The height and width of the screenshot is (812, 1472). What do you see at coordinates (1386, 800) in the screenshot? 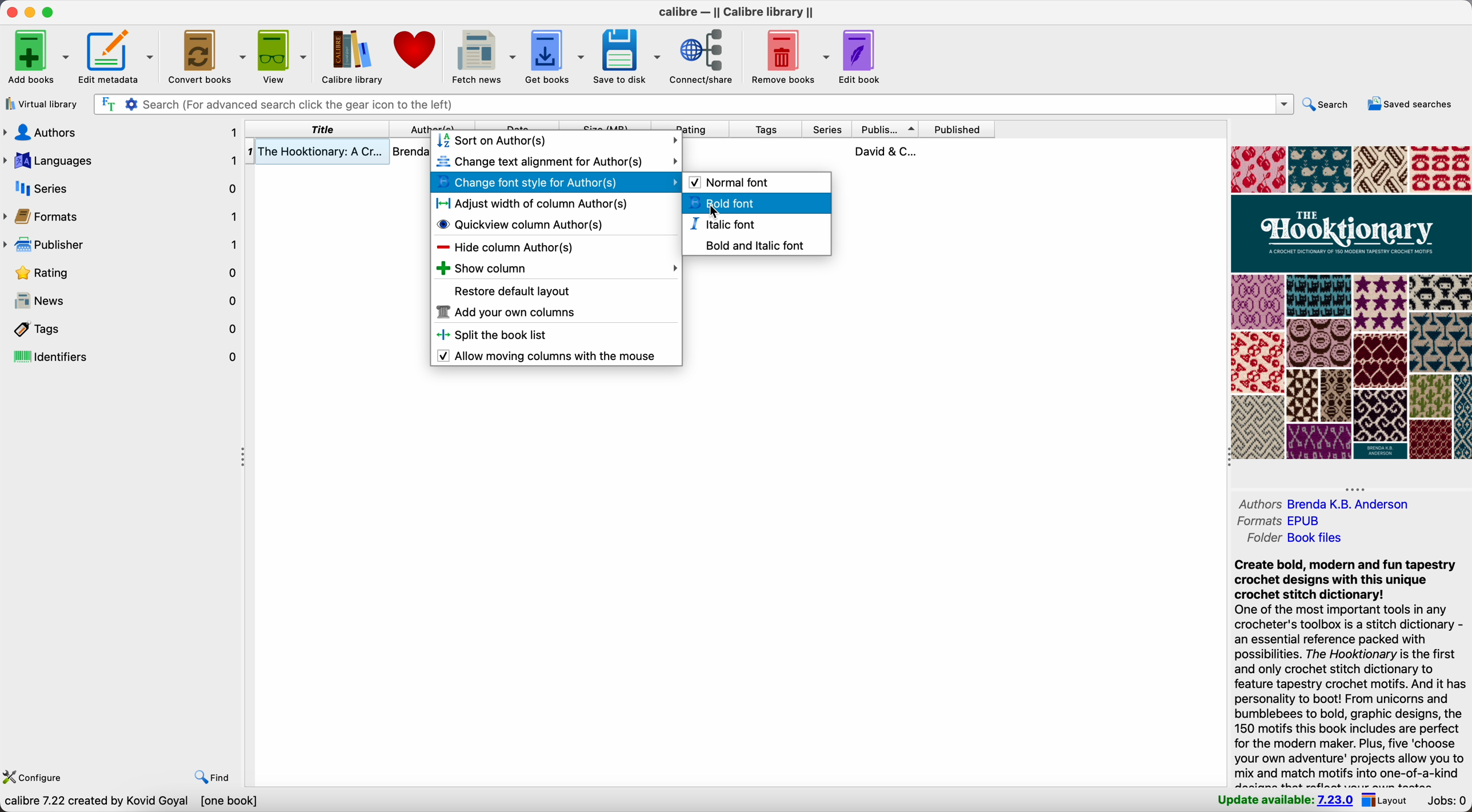
I see `layout` at bounding box center [1386, 800].